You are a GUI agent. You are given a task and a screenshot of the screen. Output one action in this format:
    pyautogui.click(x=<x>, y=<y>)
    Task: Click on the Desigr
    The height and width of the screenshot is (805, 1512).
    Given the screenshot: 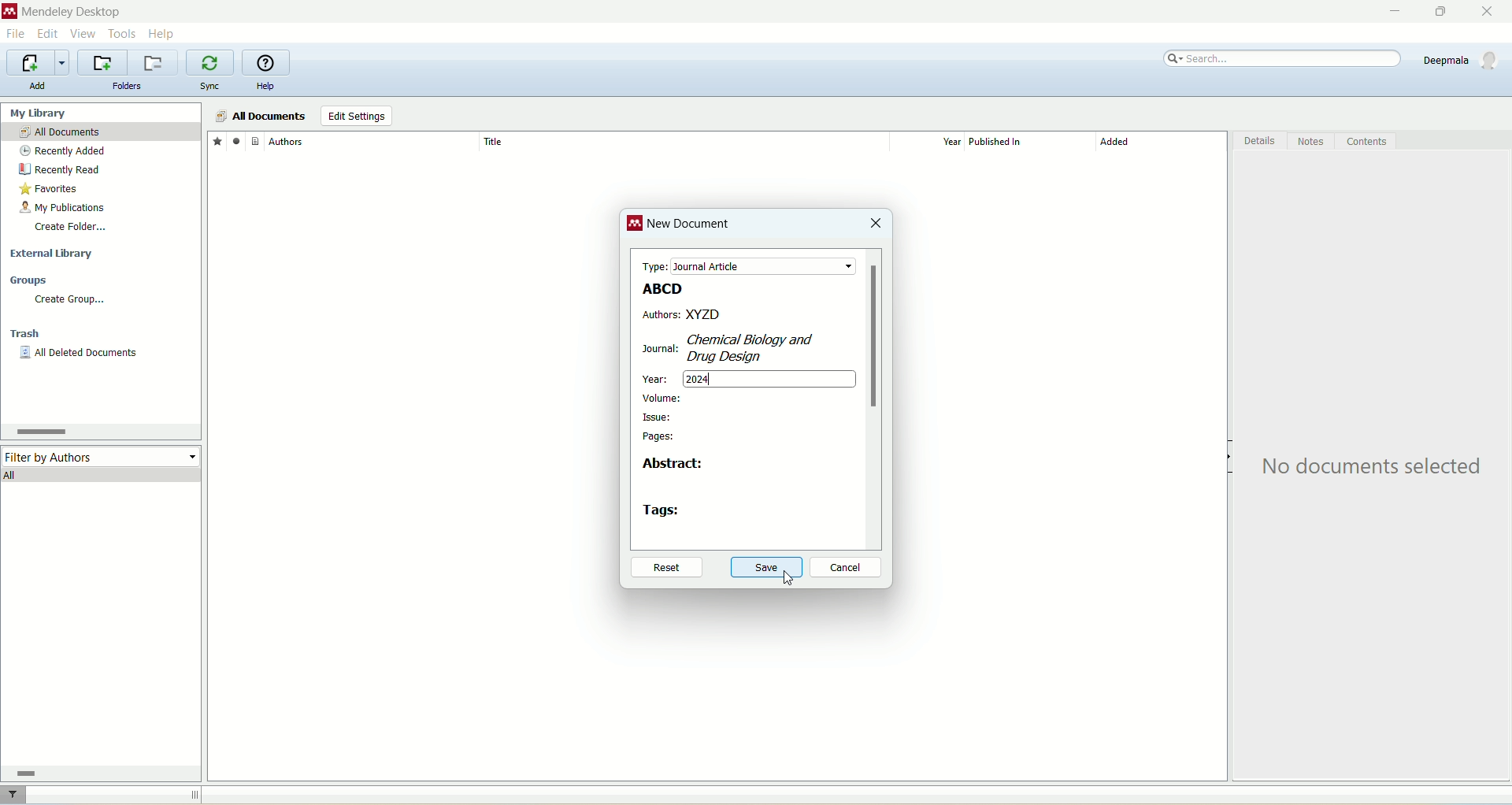 What is the action you would take?
    pyautogui.click(x=729, y=355)
    